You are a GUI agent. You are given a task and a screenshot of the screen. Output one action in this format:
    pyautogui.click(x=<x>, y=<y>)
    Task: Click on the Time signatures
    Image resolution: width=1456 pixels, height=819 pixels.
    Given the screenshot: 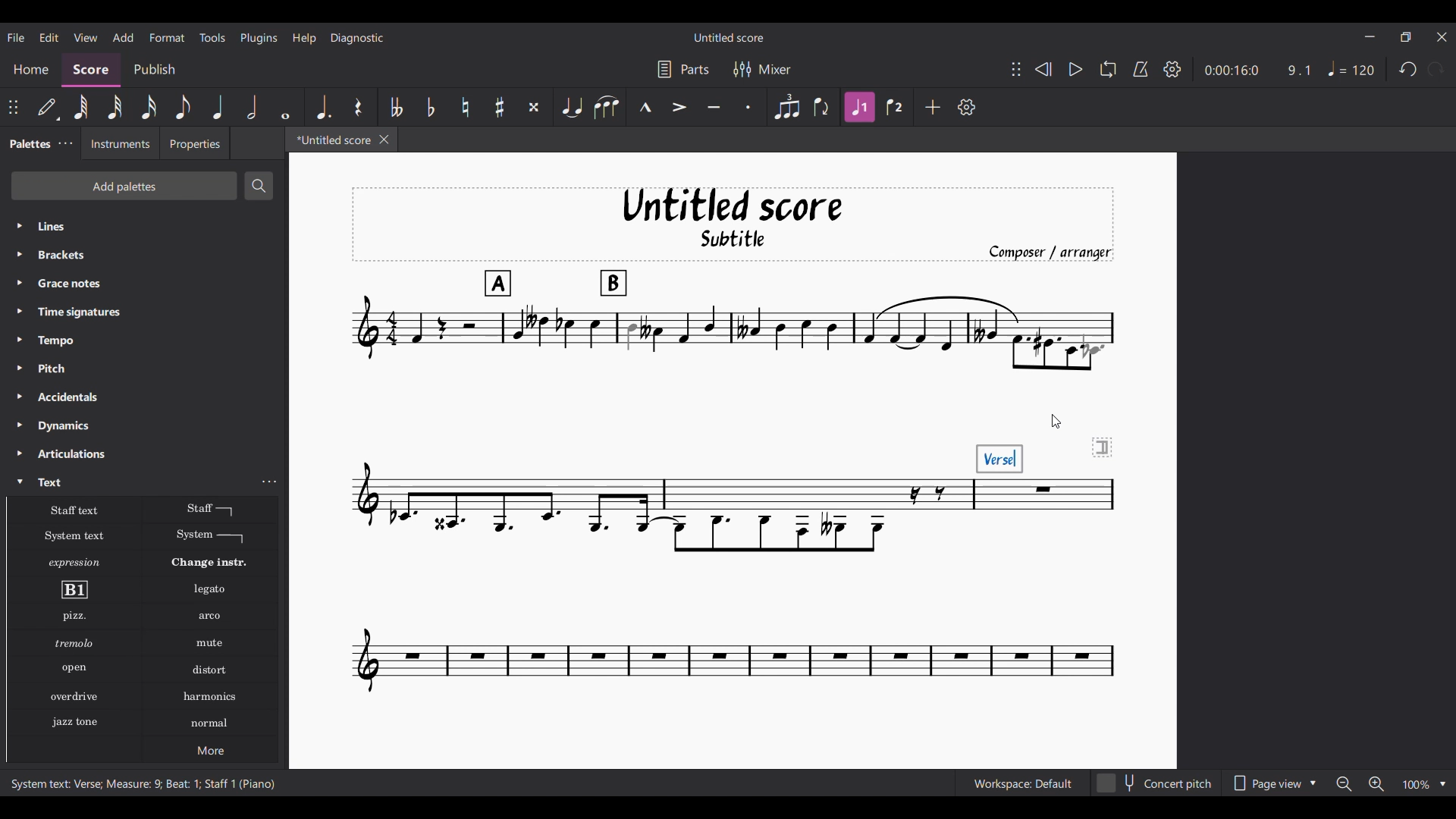 What is the action you would take?
    pyautogui.click(x=145, y=312)
    